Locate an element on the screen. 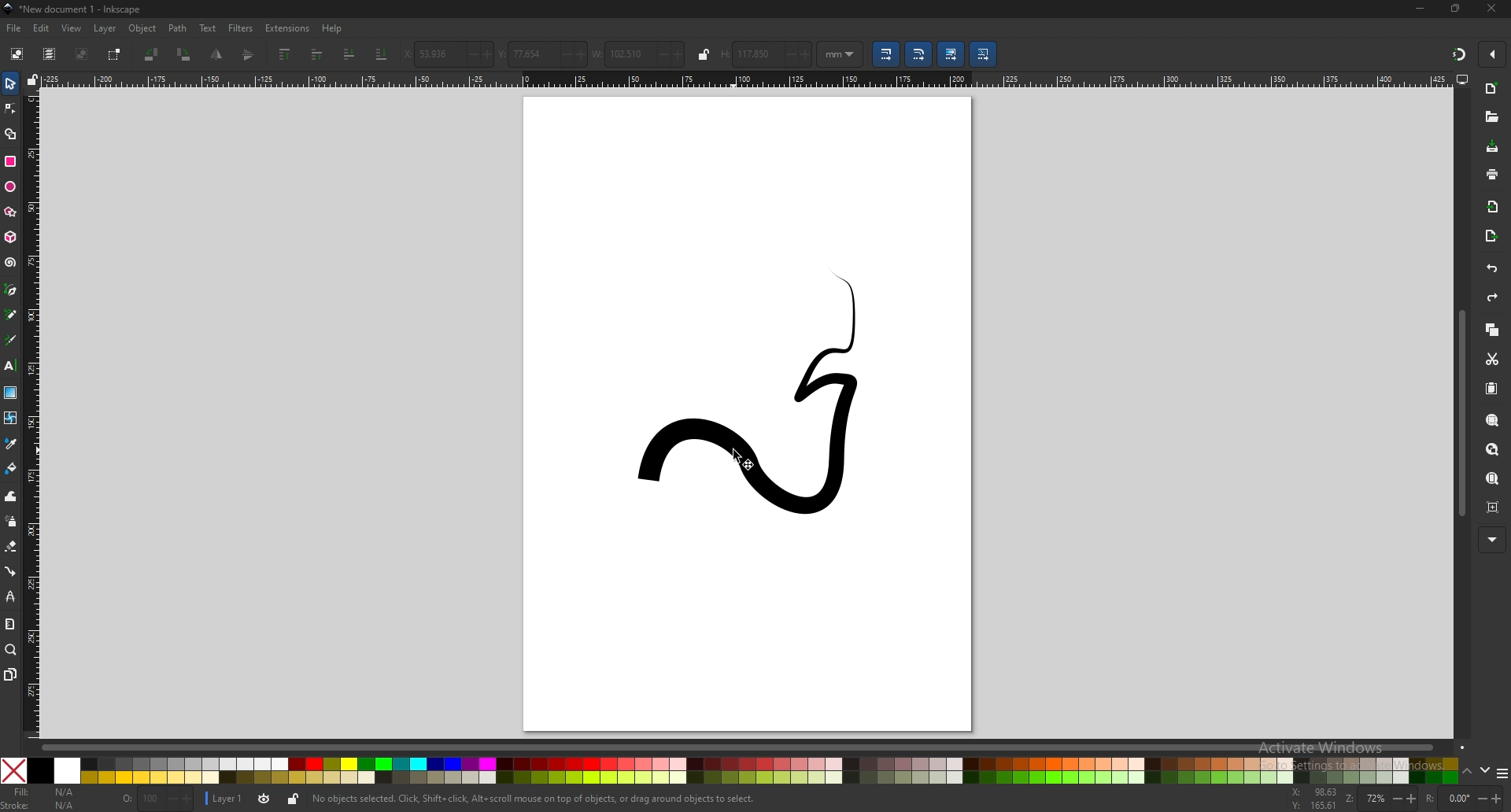 Image resolution: width=1511 pixels, height=812 pixels. enable snapping is located at coordinates (1493, 53).